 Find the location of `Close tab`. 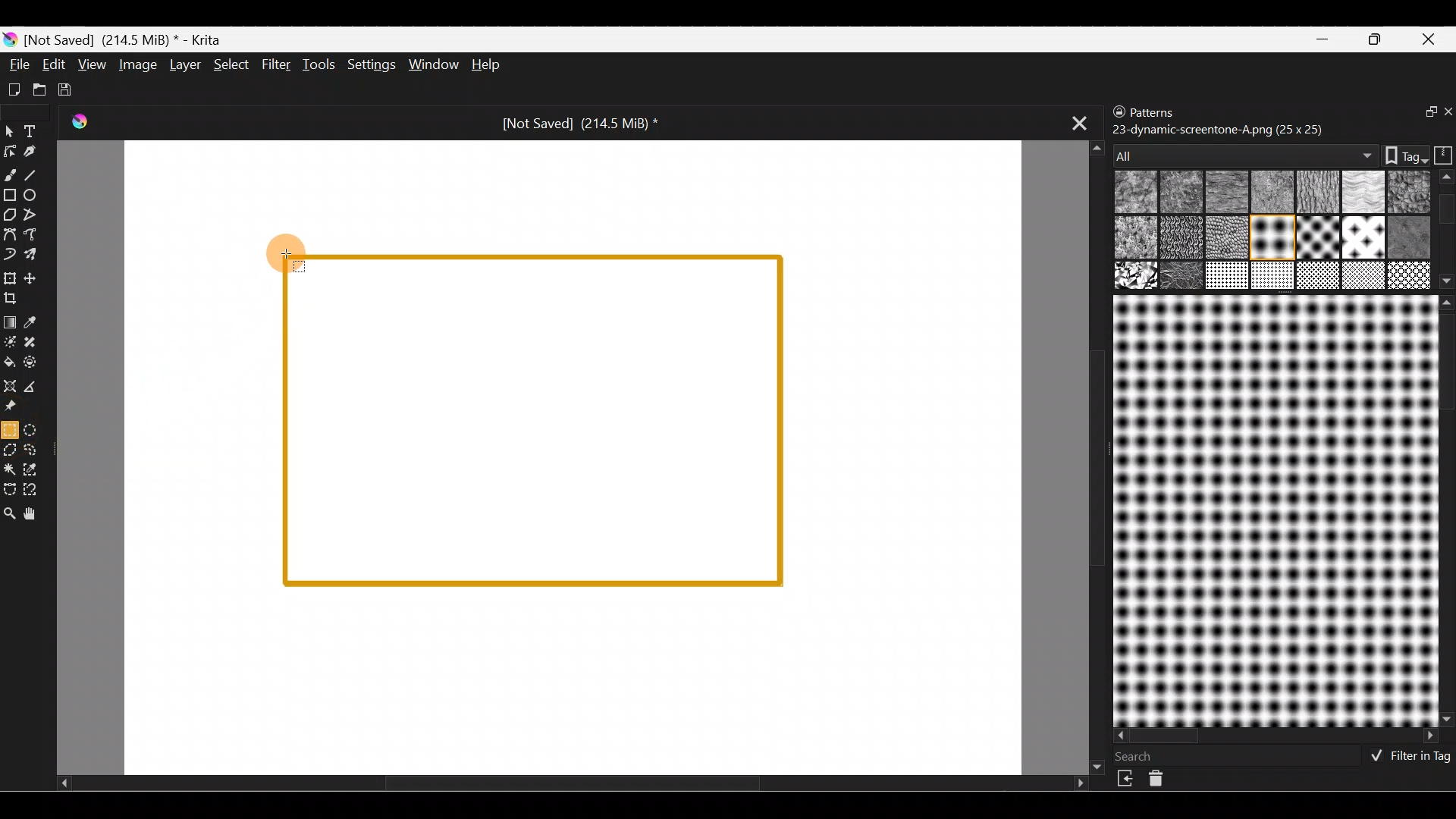

Close tab is located at coordinates (1073, 124).